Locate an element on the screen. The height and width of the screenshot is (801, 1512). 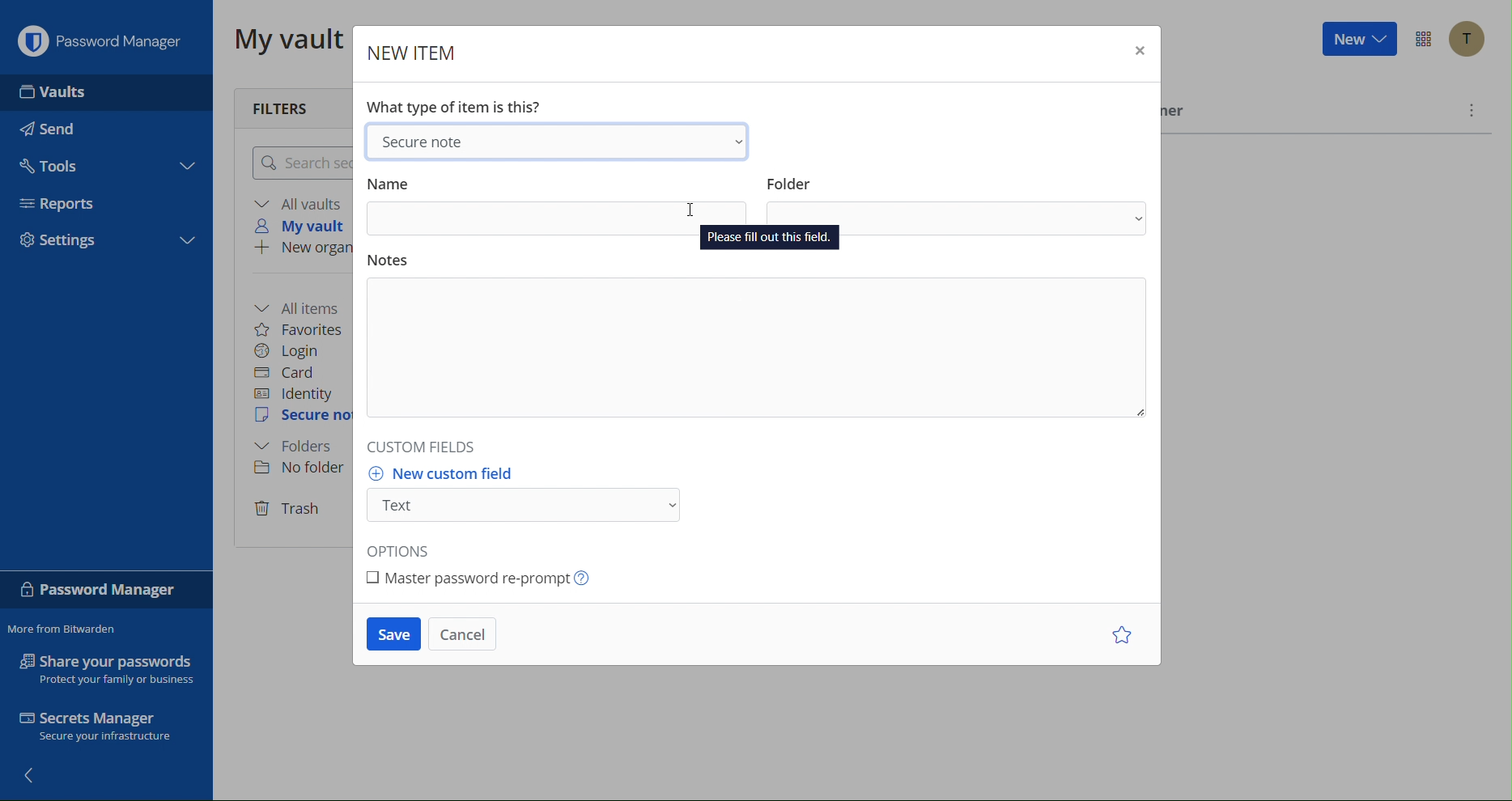
Vaults is located at coordinates (55, 91).